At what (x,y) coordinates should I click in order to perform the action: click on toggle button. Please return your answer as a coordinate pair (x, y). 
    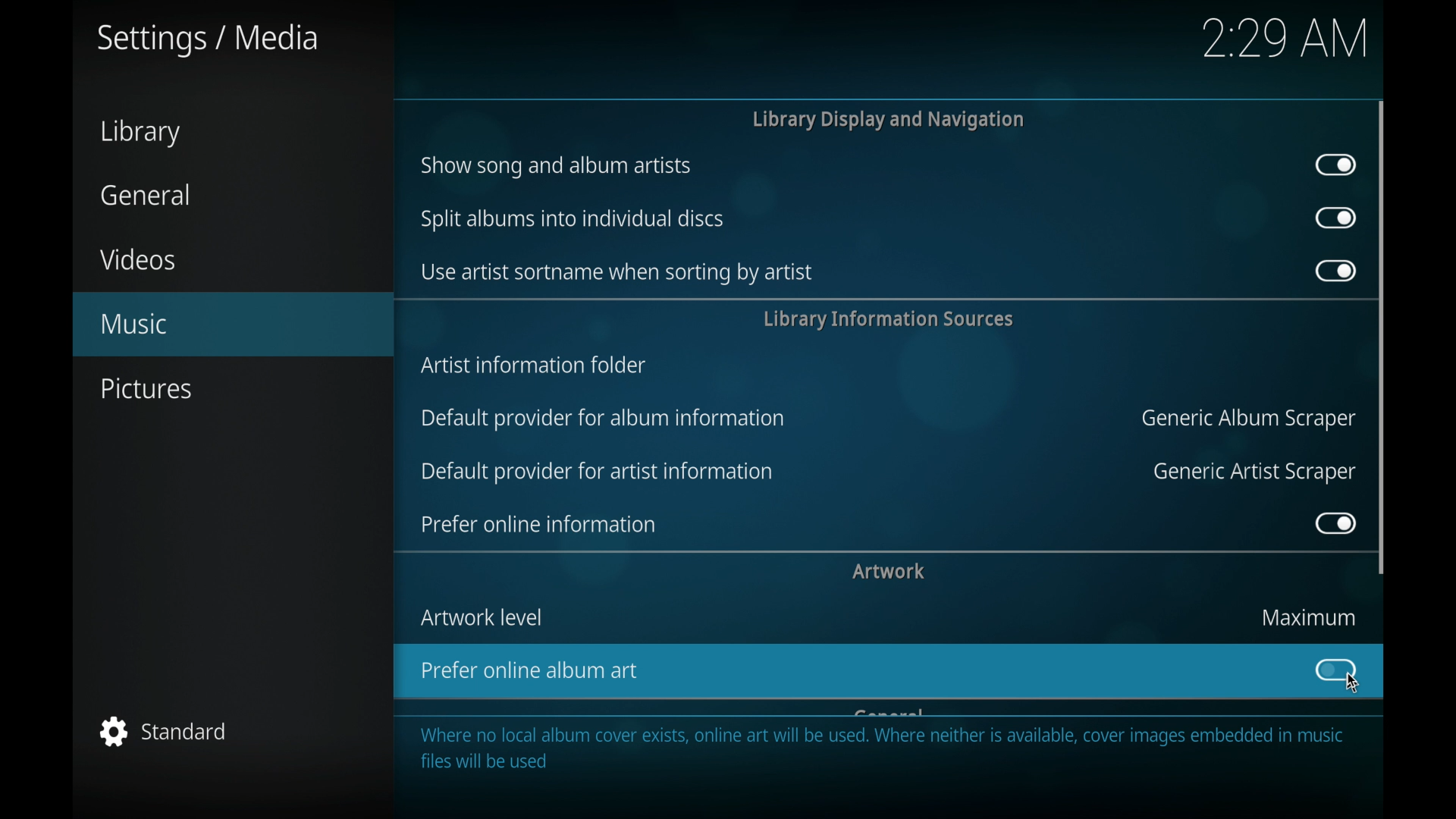
    Looking at the image, I should click on (1335, 165).